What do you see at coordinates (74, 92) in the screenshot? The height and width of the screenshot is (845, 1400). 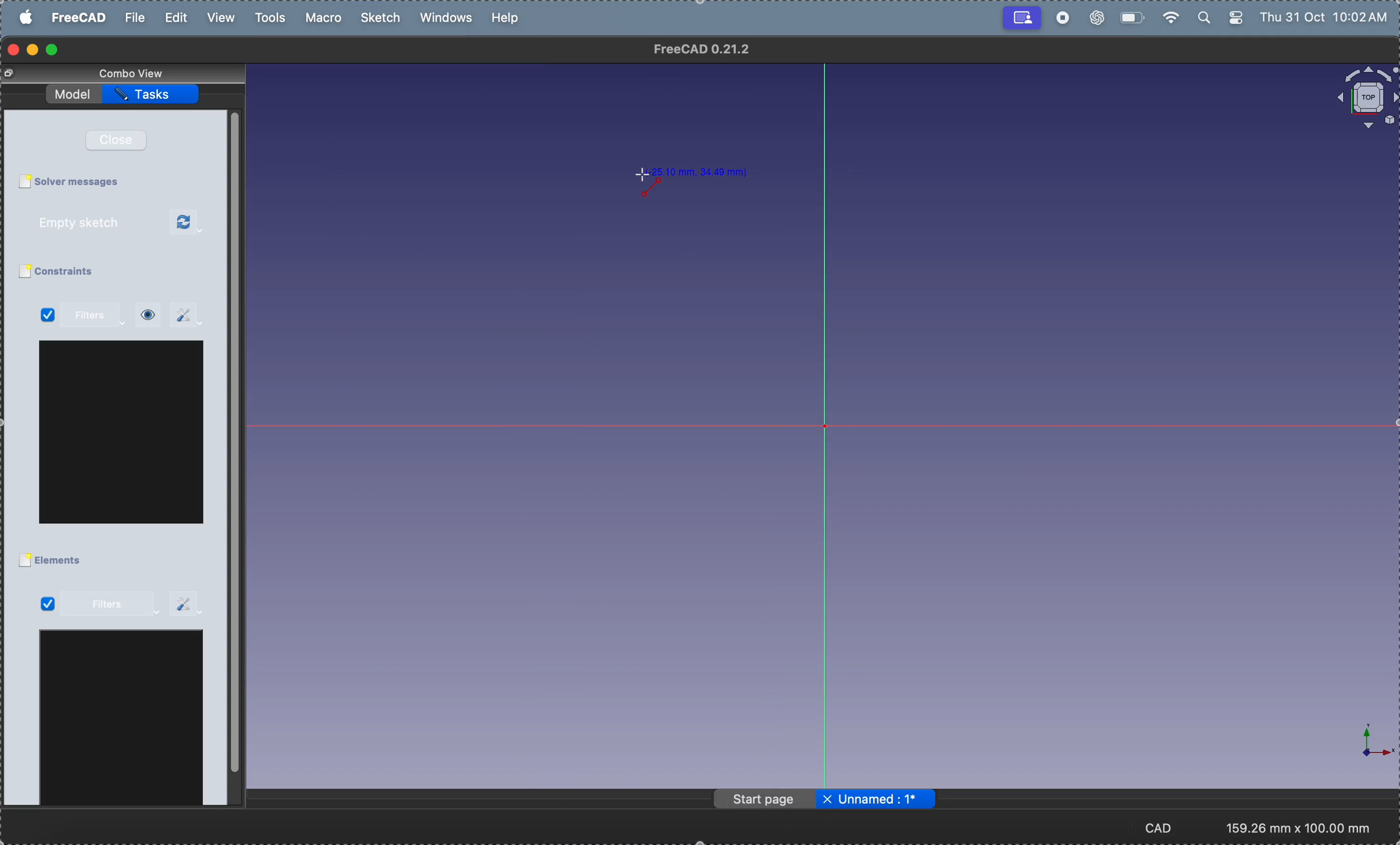 I see `model` at bounding box center [74, 92].